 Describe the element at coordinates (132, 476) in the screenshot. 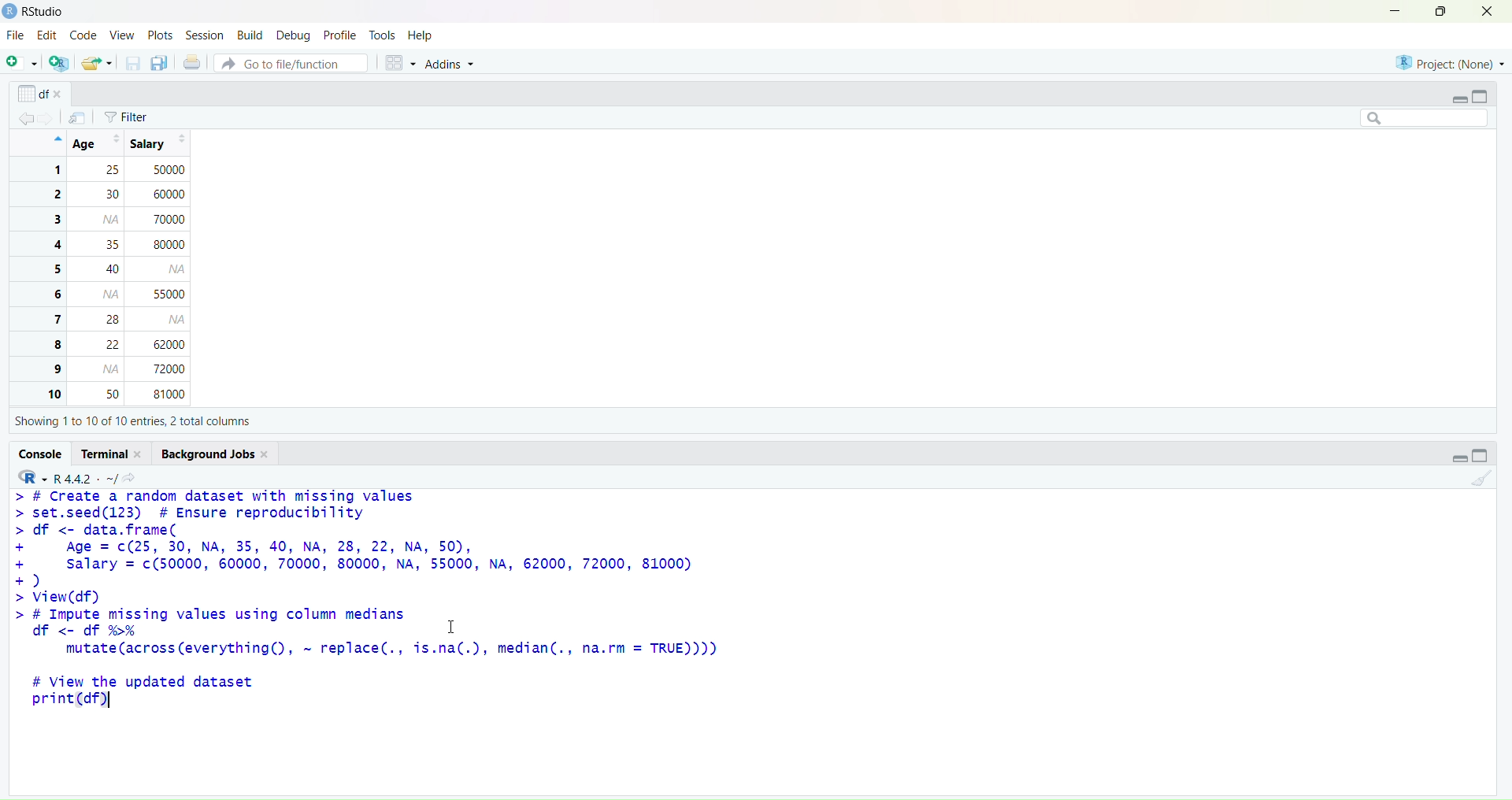

I see `view the current working directory` at that location.